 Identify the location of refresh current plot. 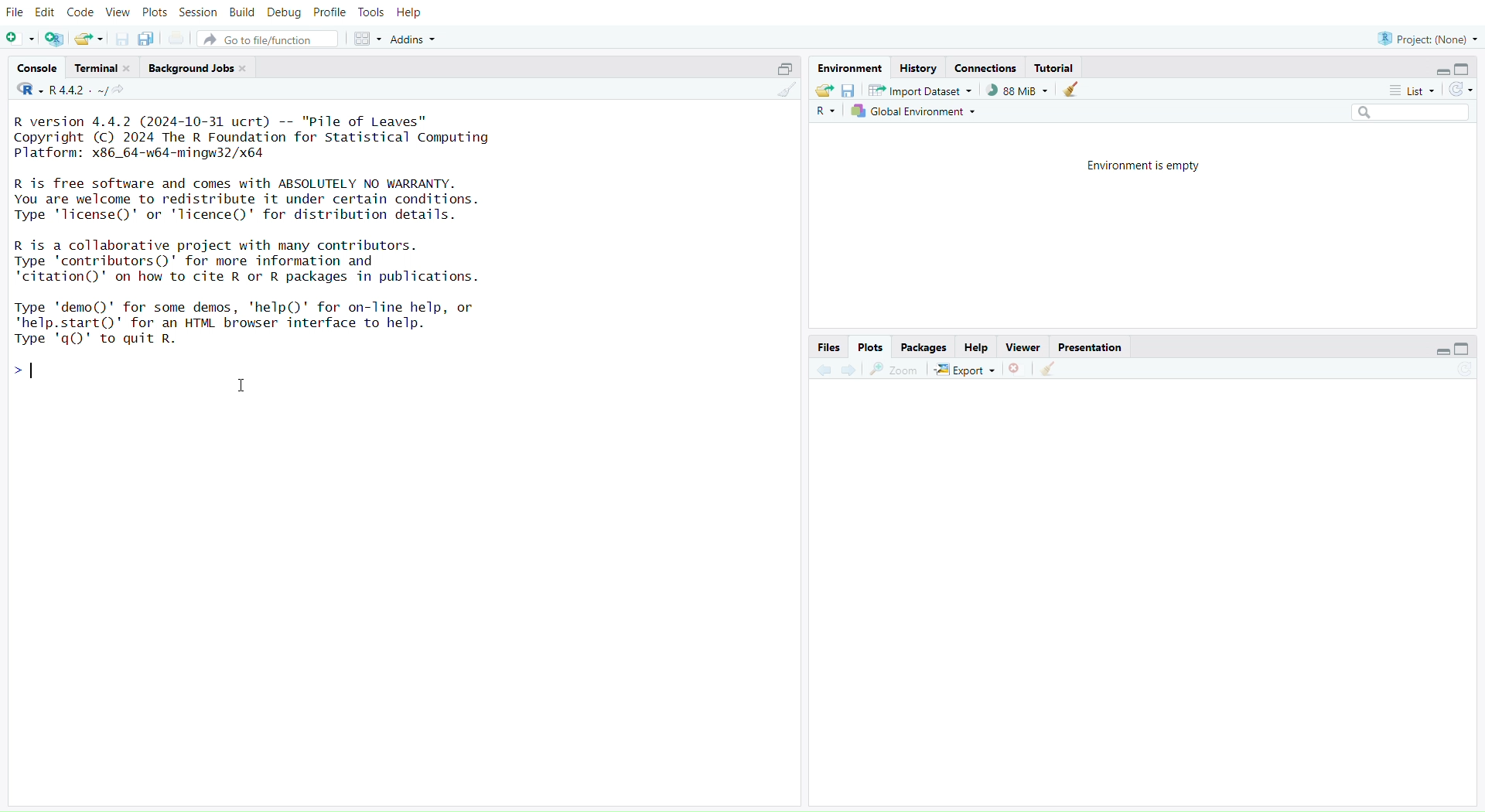
(1458, 374).